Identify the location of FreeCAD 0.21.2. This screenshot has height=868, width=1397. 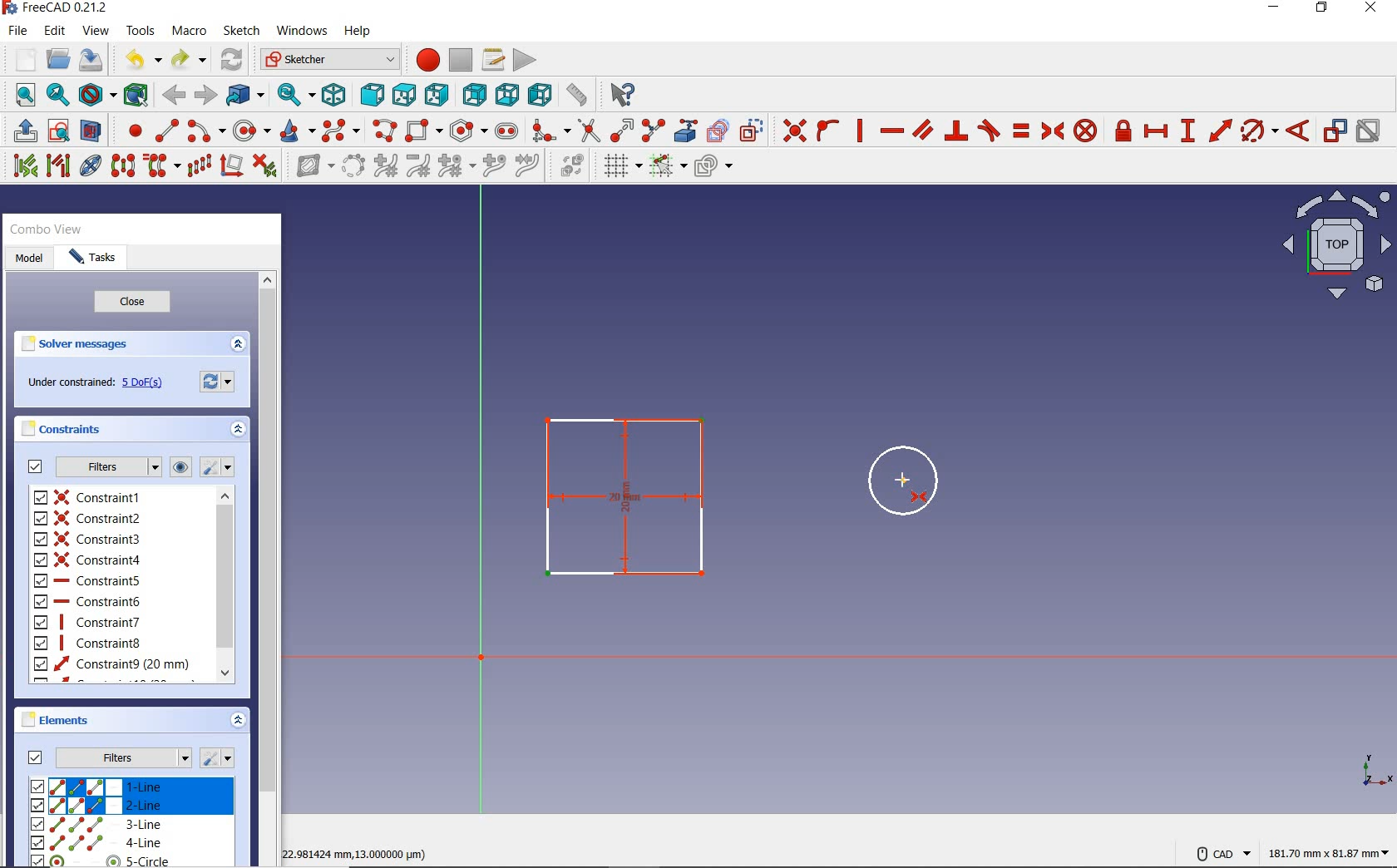
(57, 9).